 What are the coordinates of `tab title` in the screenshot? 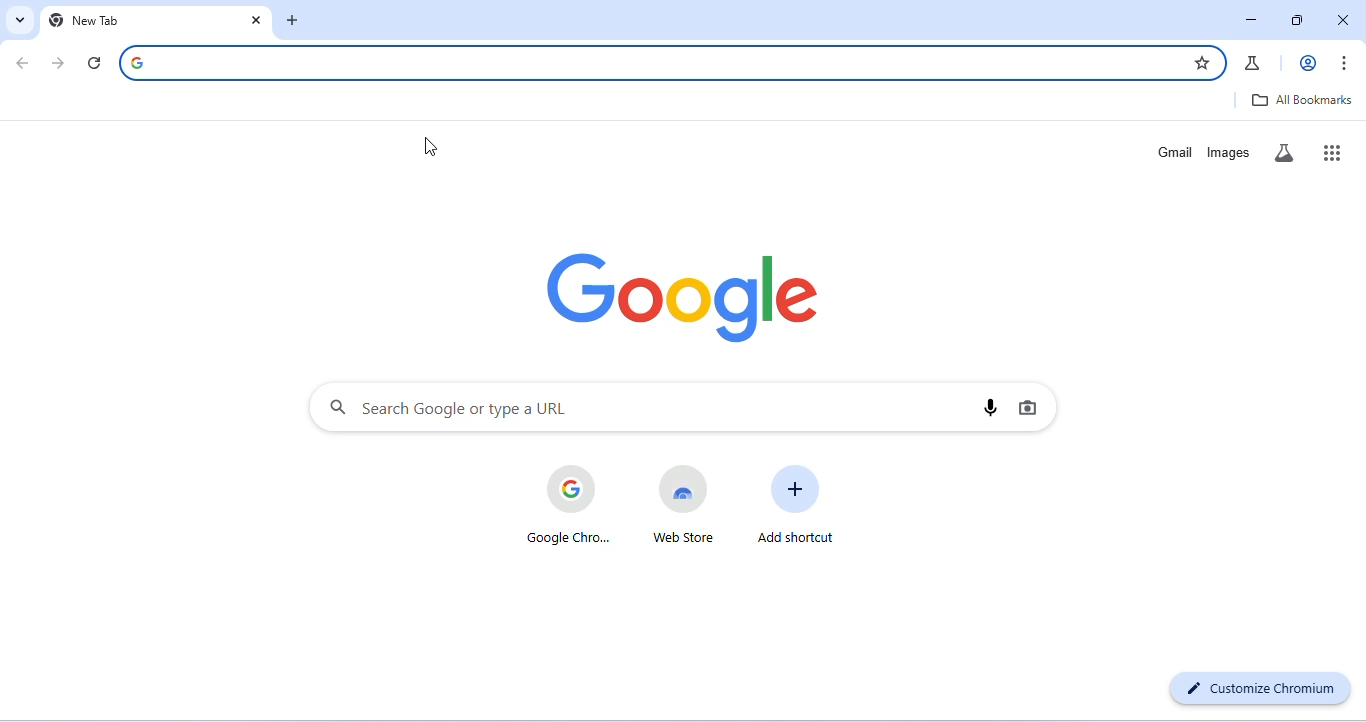 It's located at (97, 18).